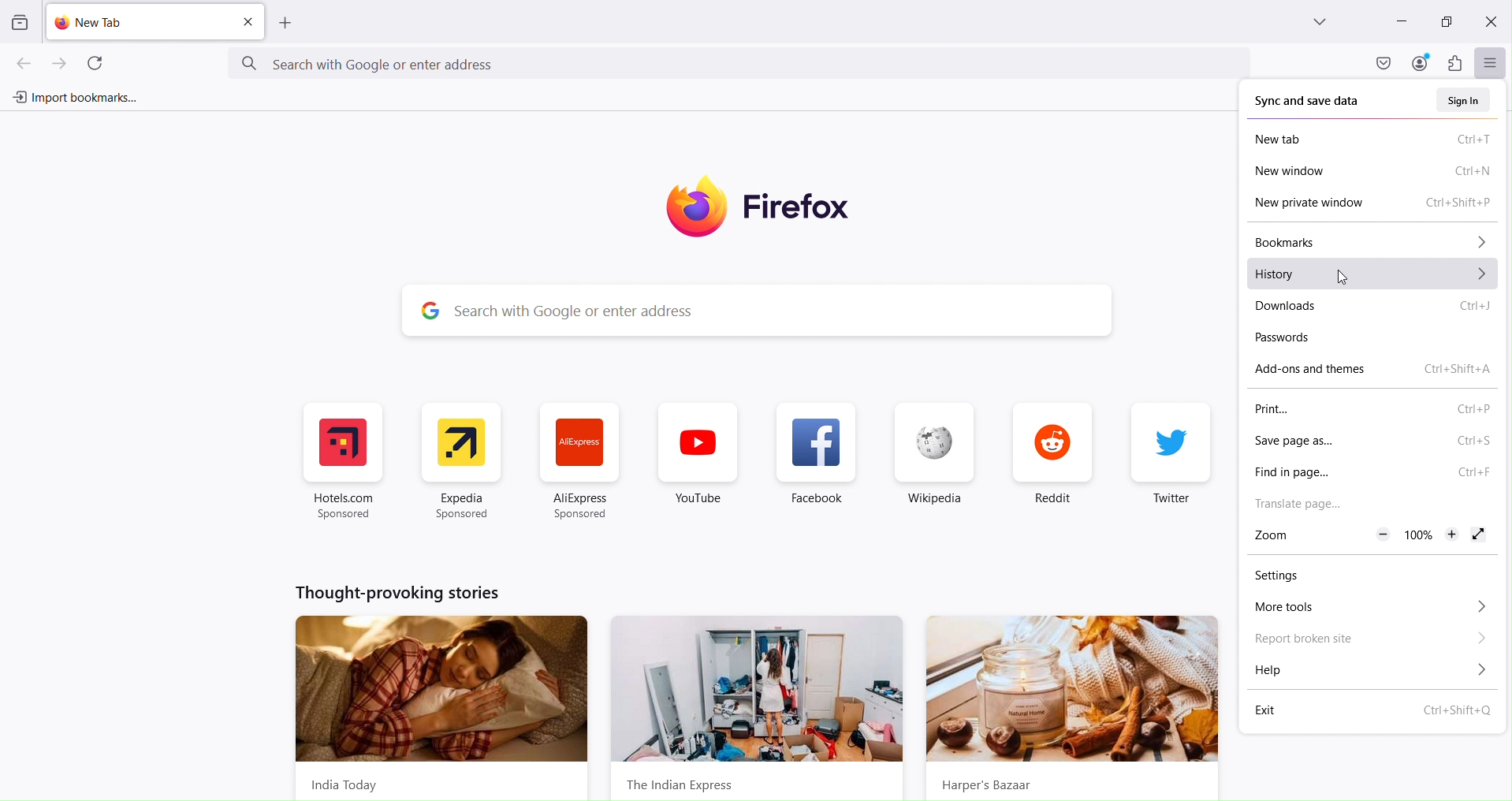  I want to click on New tab, so click(1376, 140).